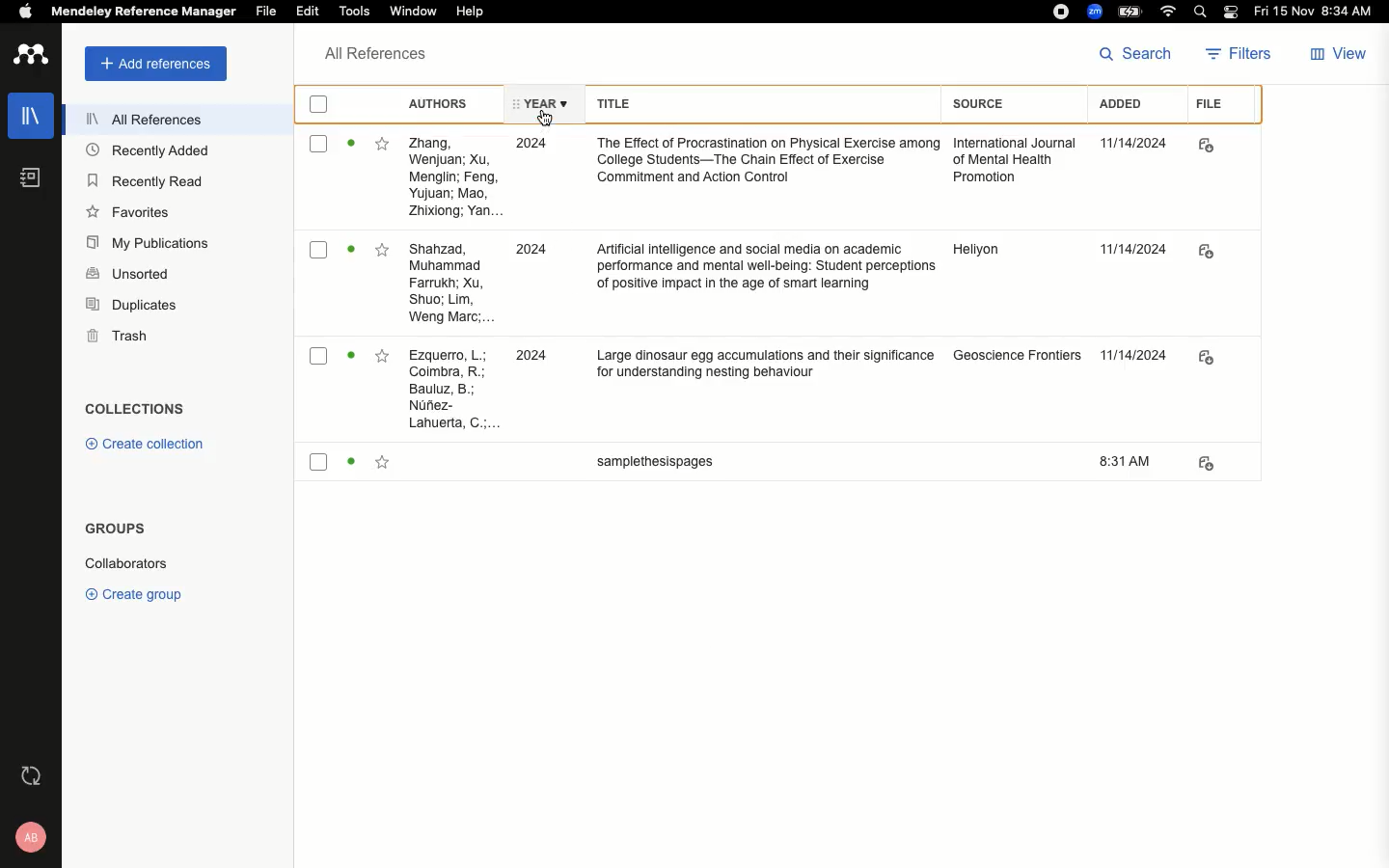 This screenshot has width=1389, height=868. What do you see at coordinates (381, 465) in the screenshot?
I see `mark as favorite` at bounding box center [381, 465].